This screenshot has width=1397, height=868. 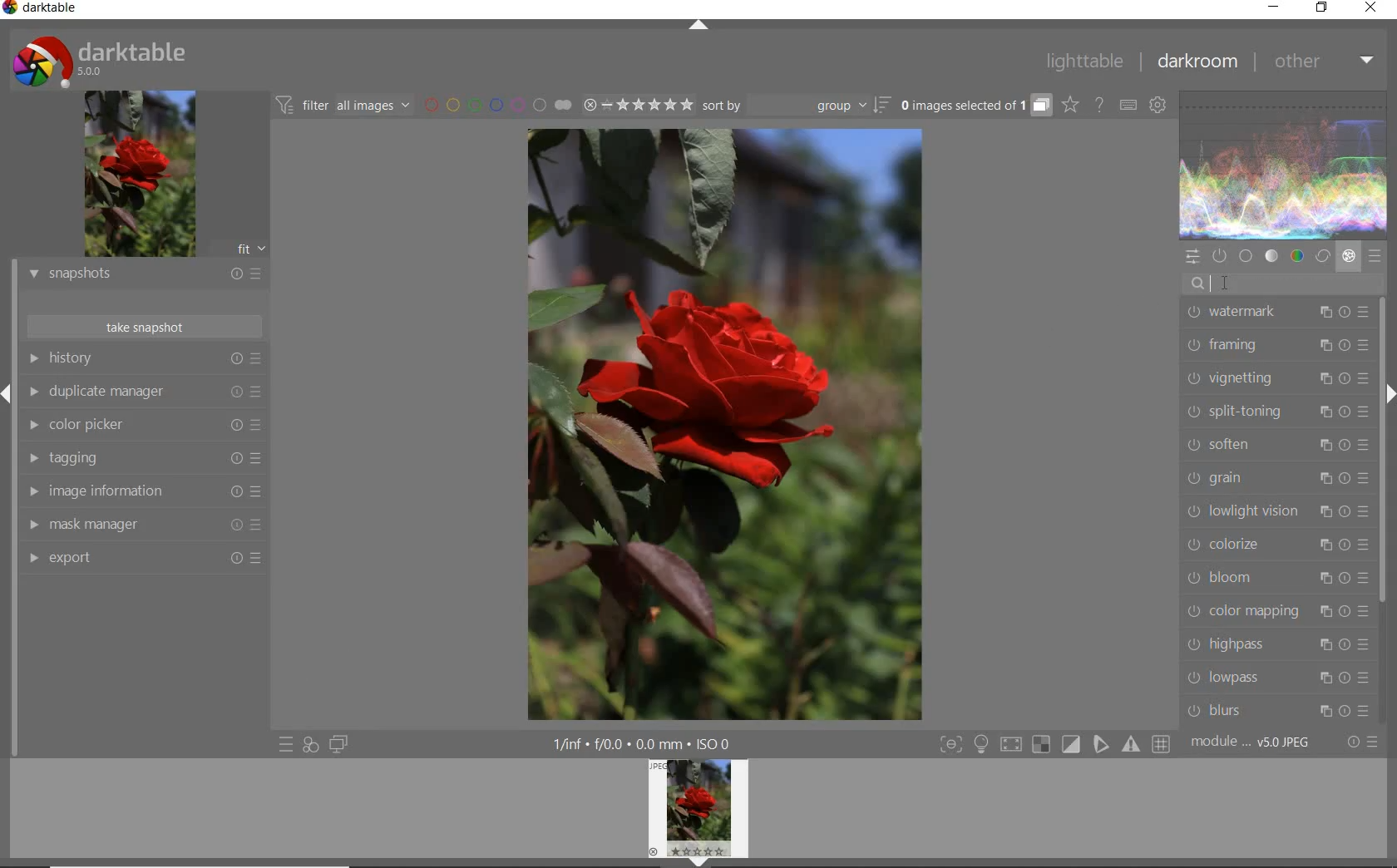 What do you see at coordinates (1322, 63) in the screenshot?
I see `other` at bounding box center [1322, 63].